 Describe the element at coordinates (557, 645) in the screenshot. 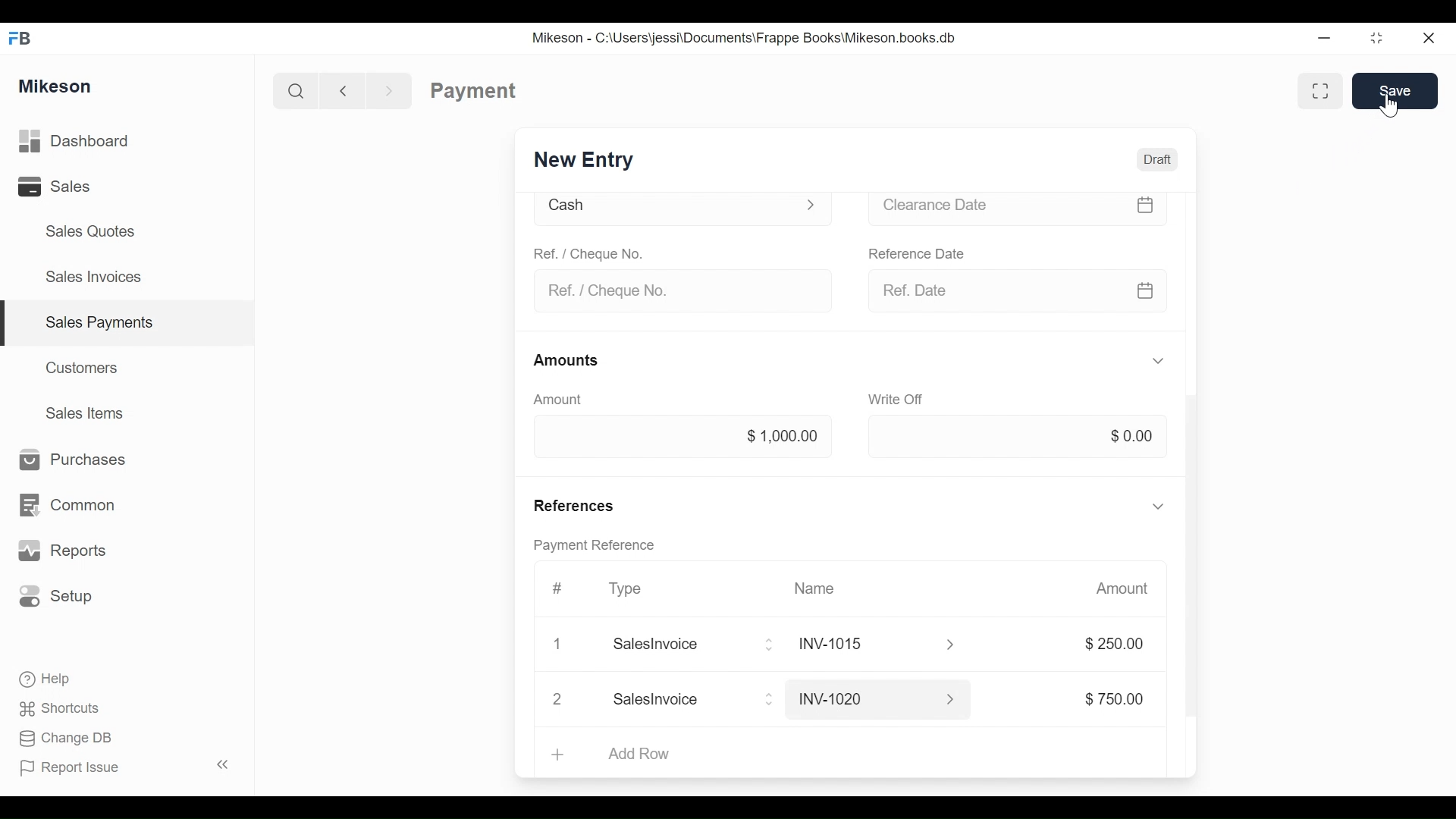

I see `Close` at that location.